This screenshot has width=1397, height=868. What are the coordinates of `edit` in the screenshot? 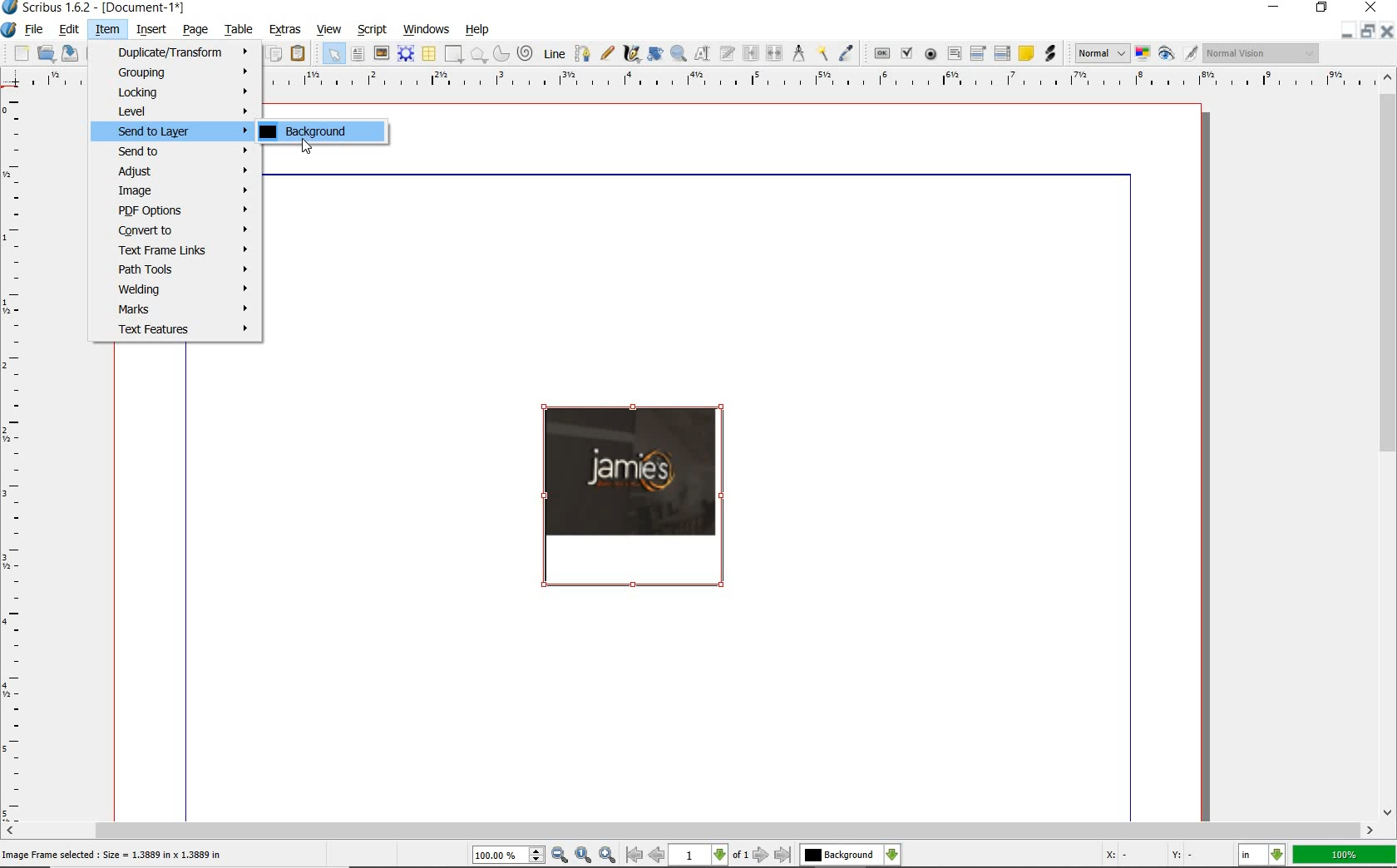 It's located at (70, 30).